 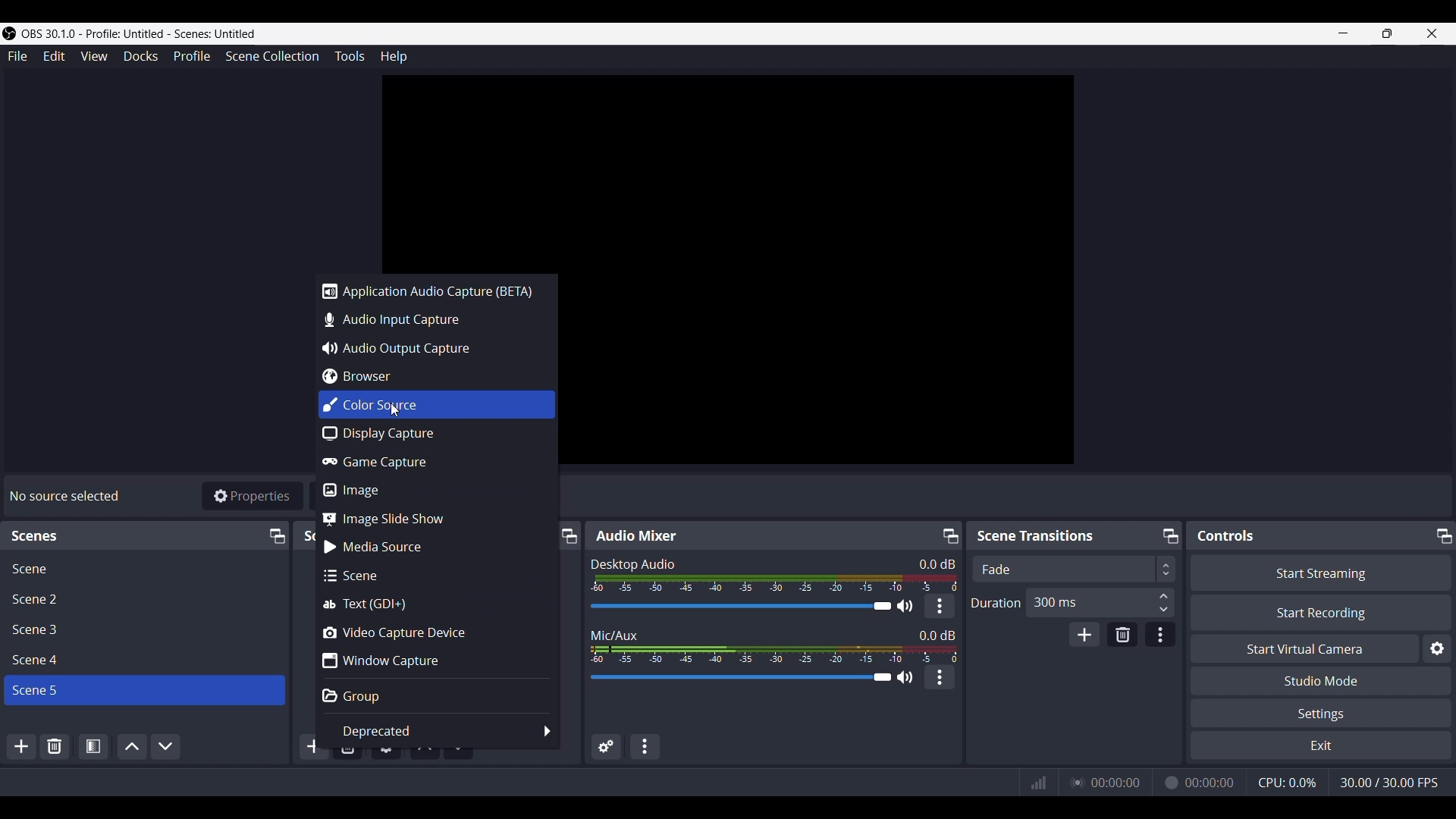 I want to click on Text, so click(x=620, y=634).